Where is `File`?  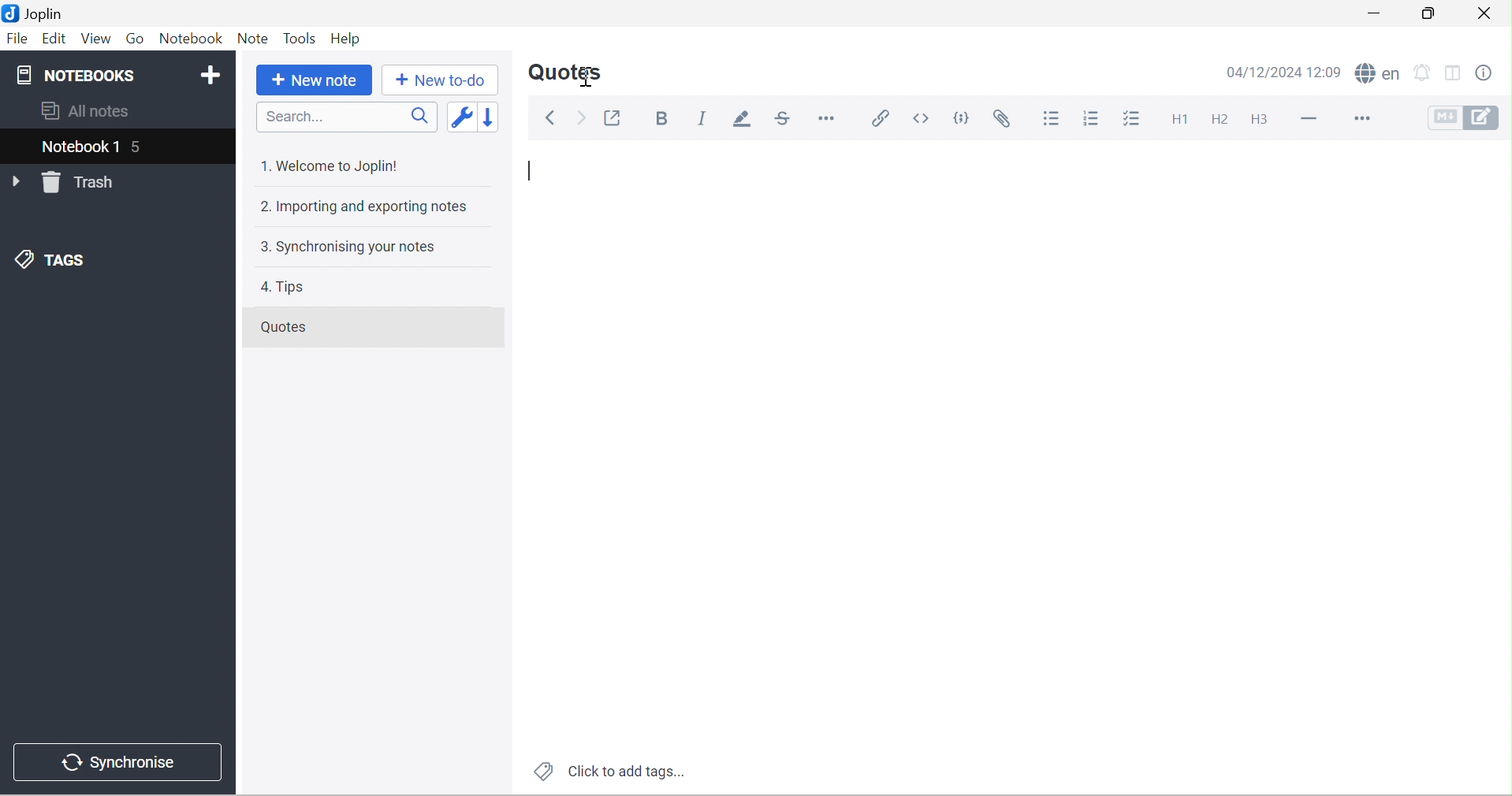 File is located at coordinates (18, 39).